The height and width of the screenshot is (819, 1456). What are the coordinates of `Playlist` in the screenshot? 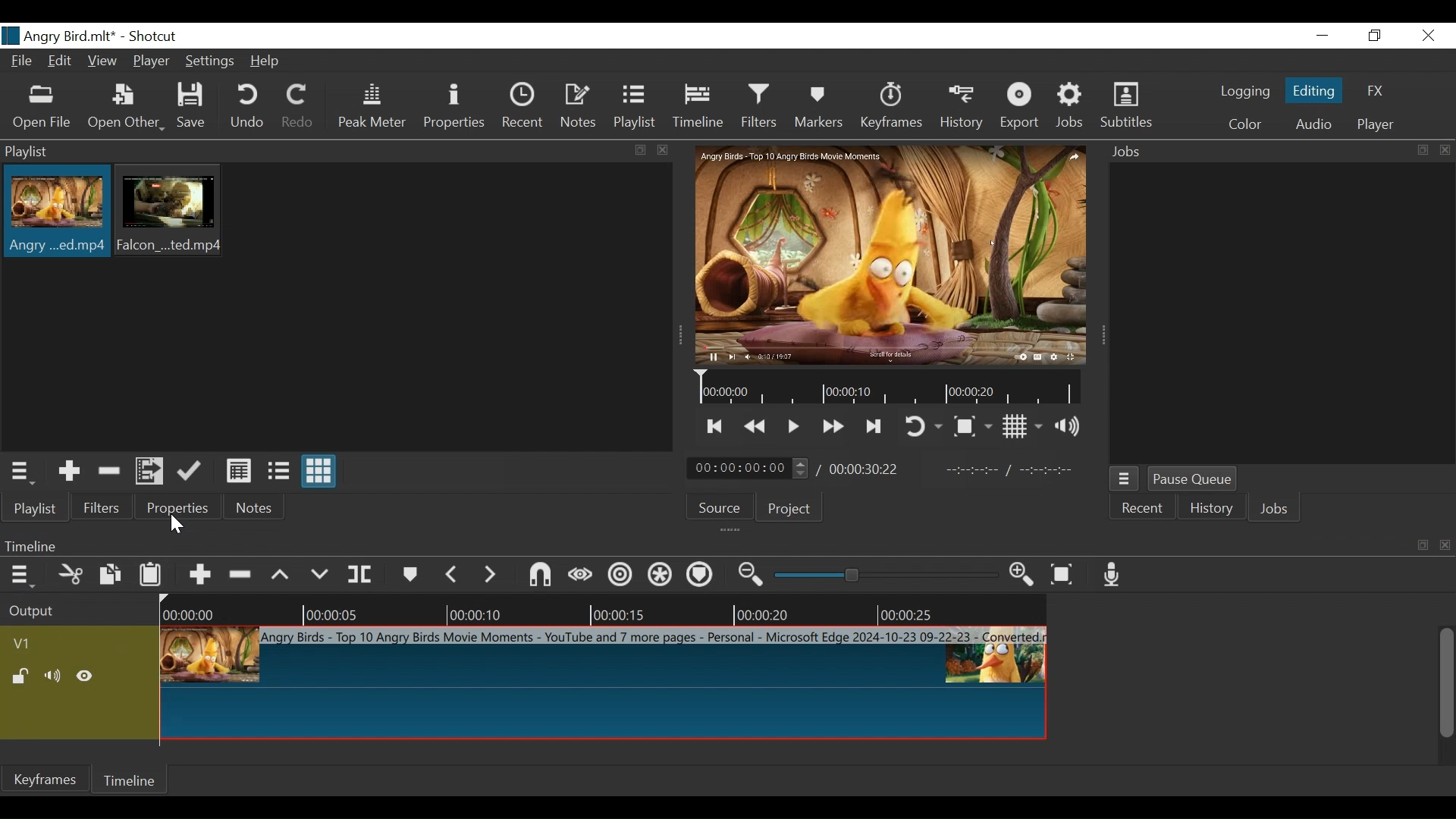 It's located at (638, 108).